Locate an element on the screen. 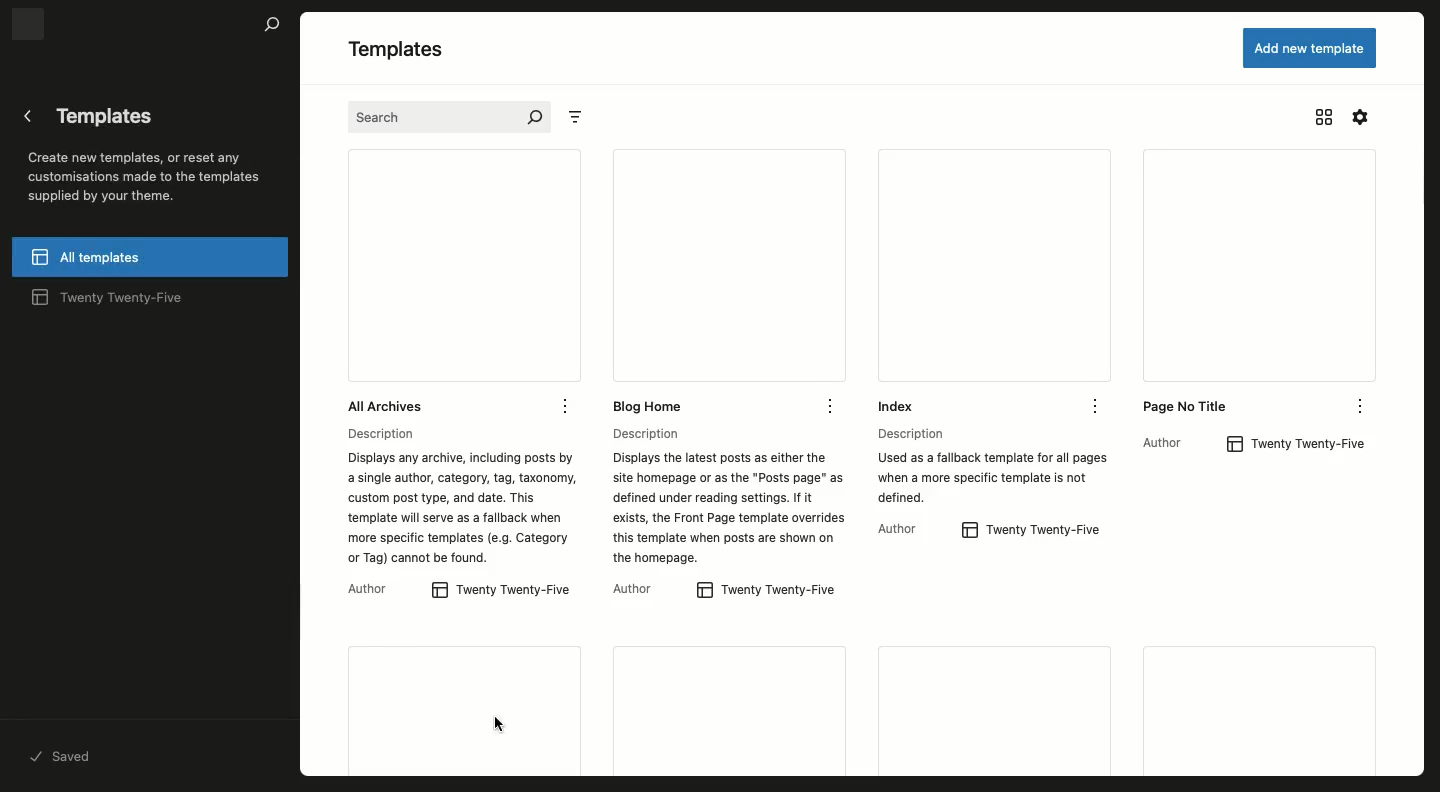 The image size is (1440, 792). Blog home is located at coordinates (648, 404).